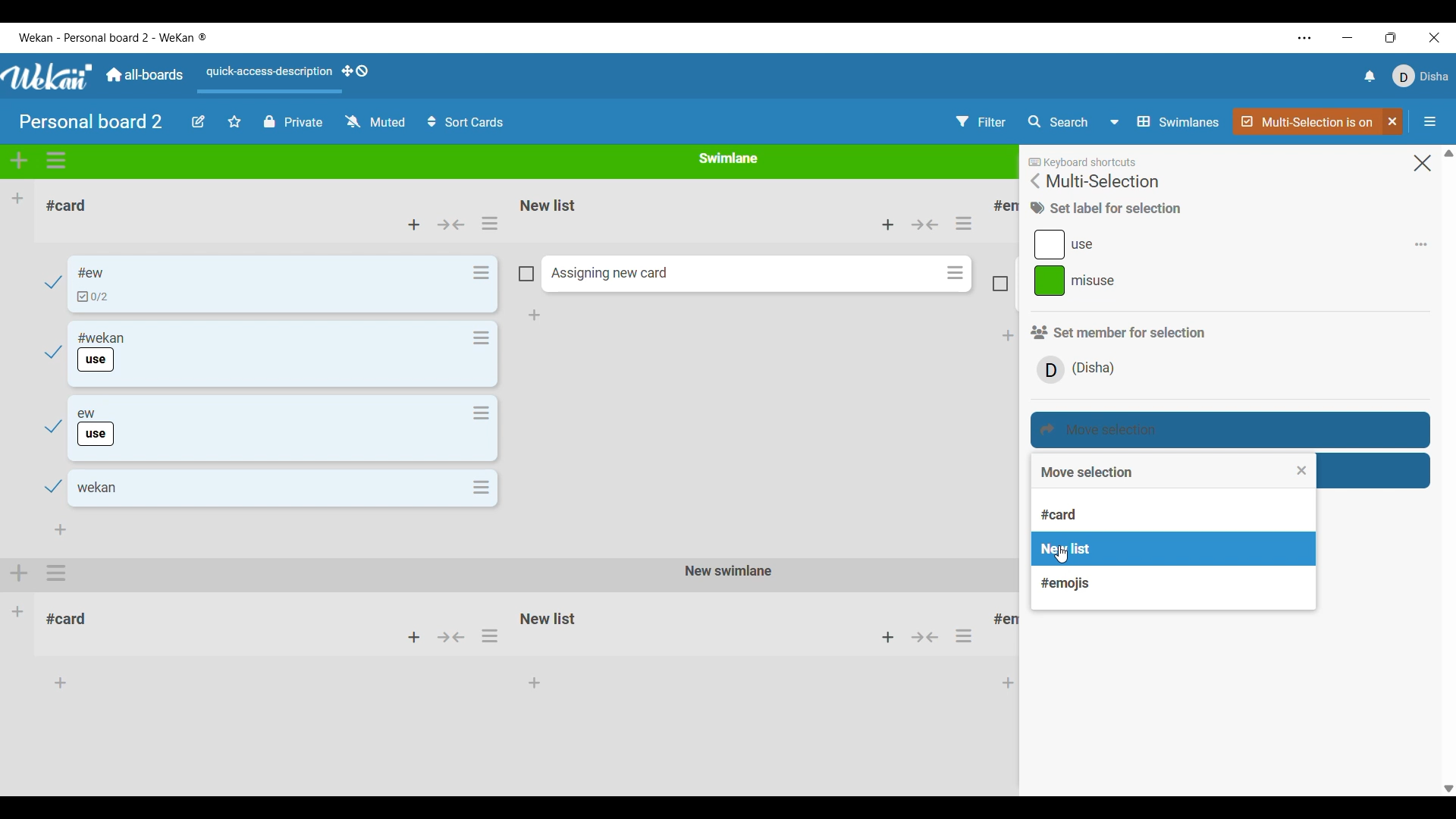 This screenshot has width=1456, height=819. Describe the element at coordinates (955, 272) in the screenshot. I see `Card actions` at that location.